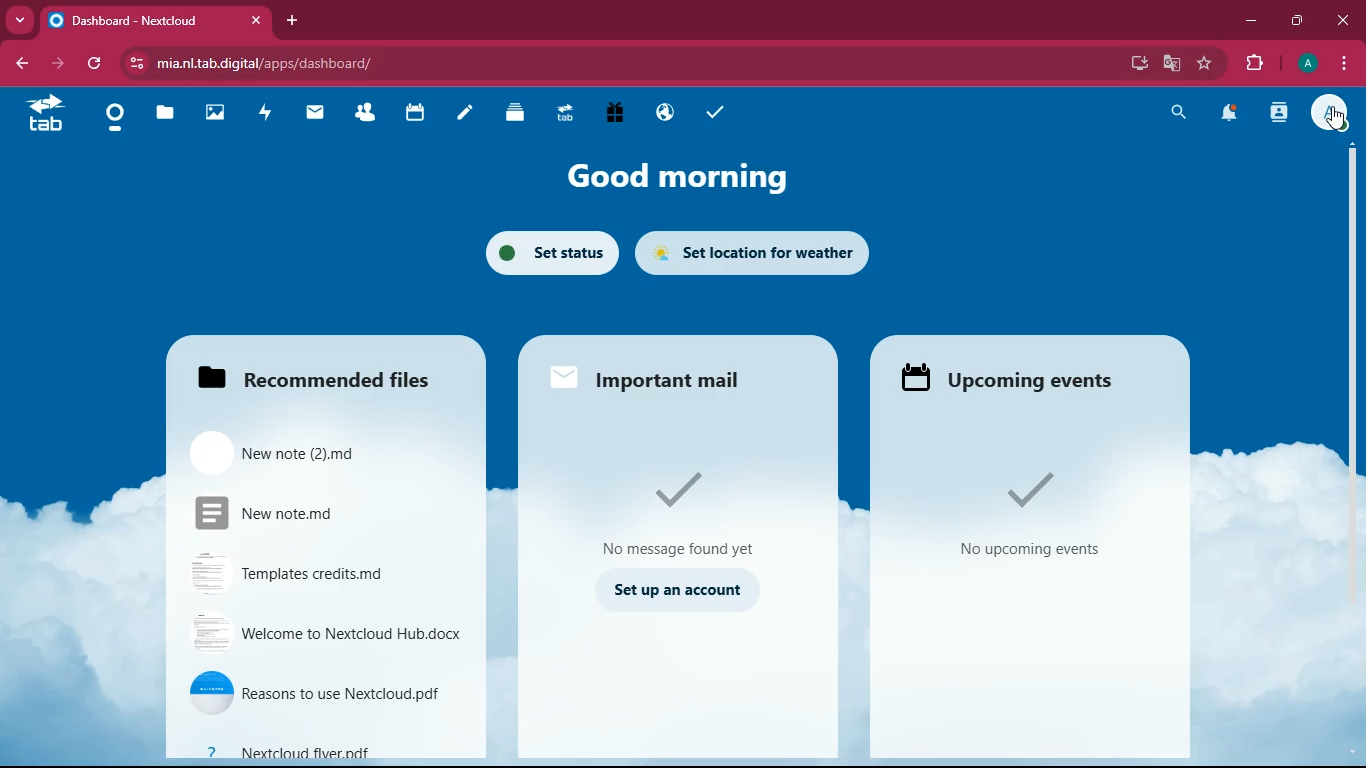 This screenshot has height=768, width=1366. I want to click on gift, so click(616, 114).